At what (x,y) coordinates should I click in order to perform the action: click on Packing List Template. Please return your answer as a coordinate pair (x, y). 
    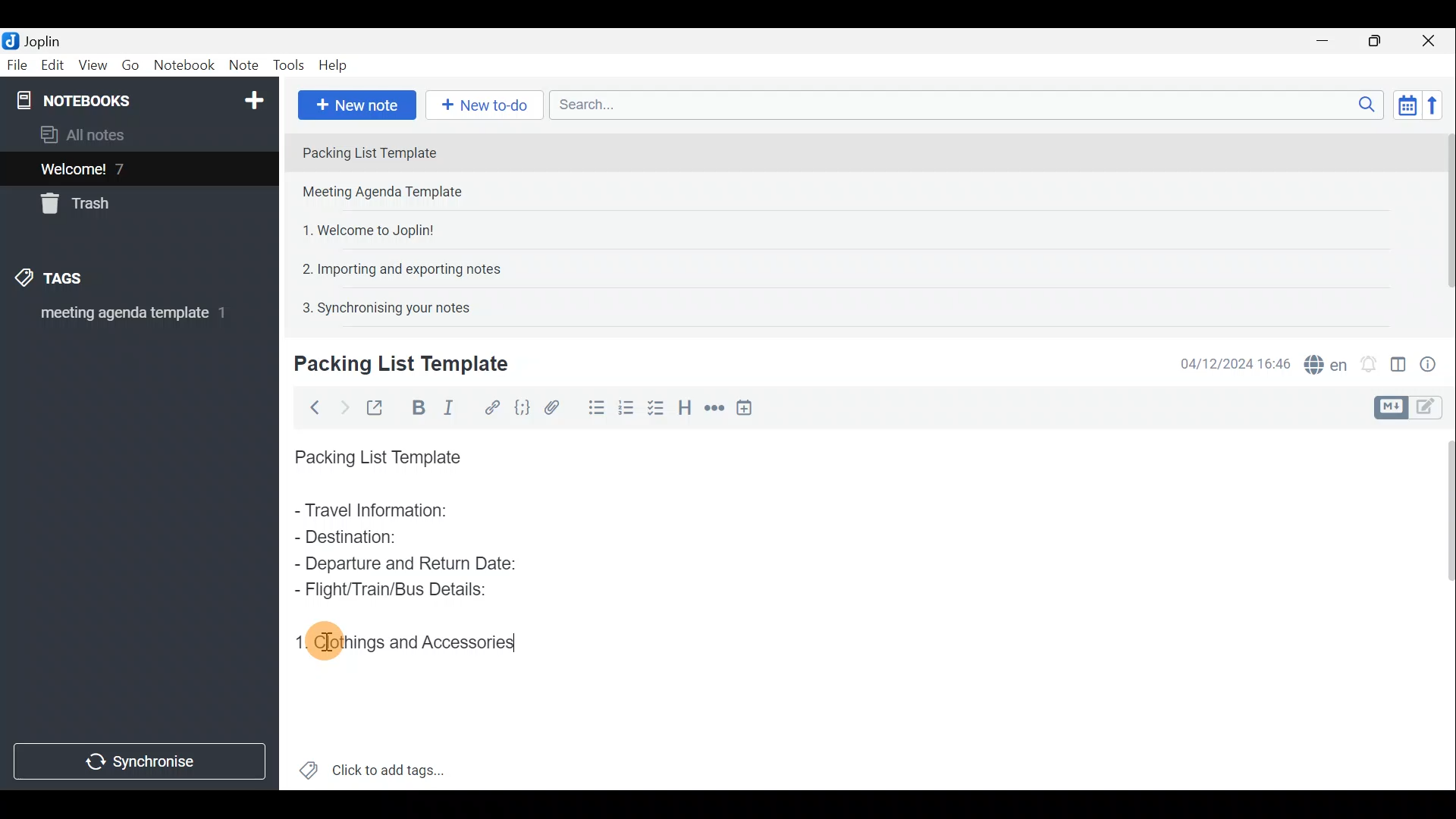
    Looking at the image, I should click on (375, 453).